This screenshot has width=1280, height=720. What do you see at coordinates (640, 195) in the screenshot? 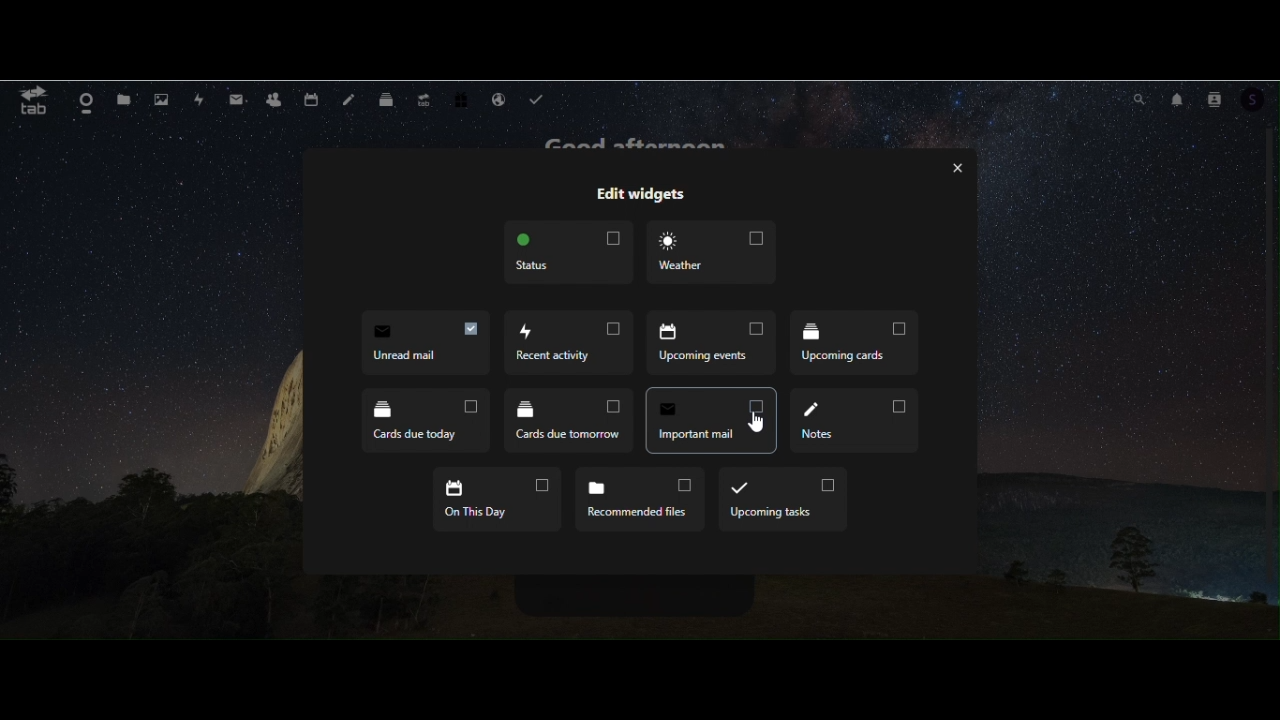
I see `Edit widget` at bounding box center [640, 195].